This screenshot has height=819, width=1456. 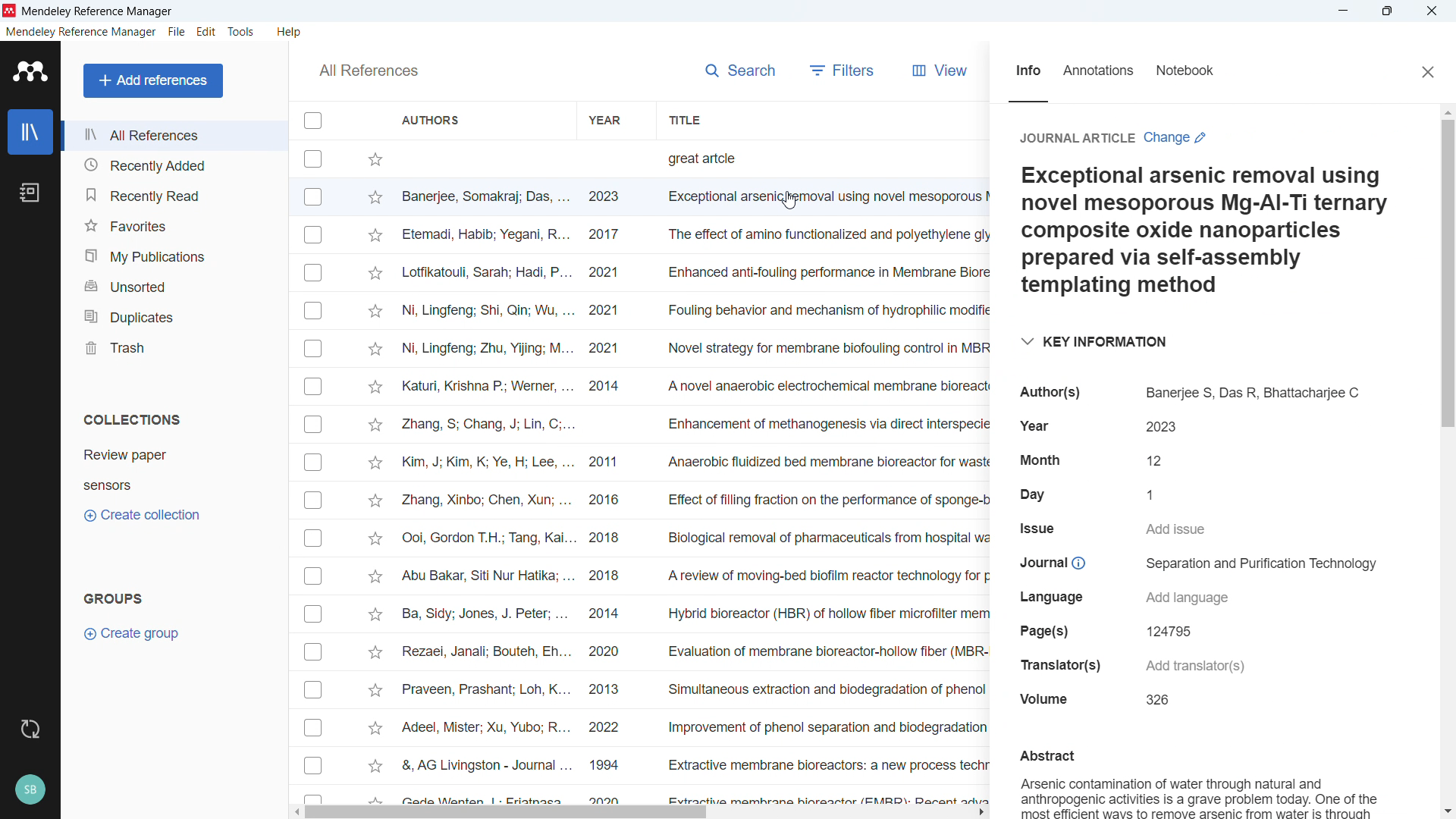 I want to click on Add translators , so click(x=1194, y=663).